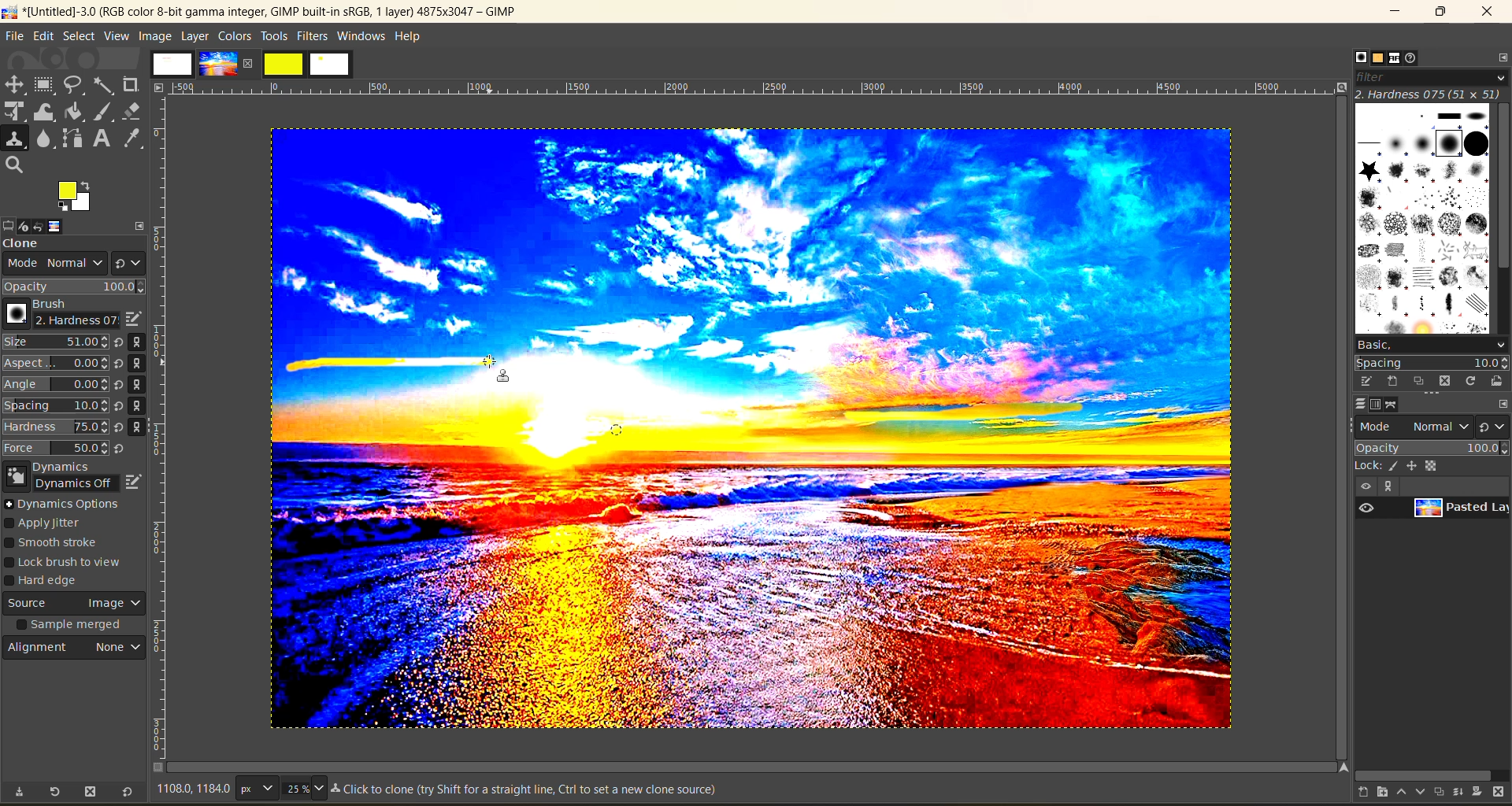 The width and height of the screenshot is (1512, 806). Describe the element at coordinates (1430, 447) in the screenshot. I see `opacity` at that location.